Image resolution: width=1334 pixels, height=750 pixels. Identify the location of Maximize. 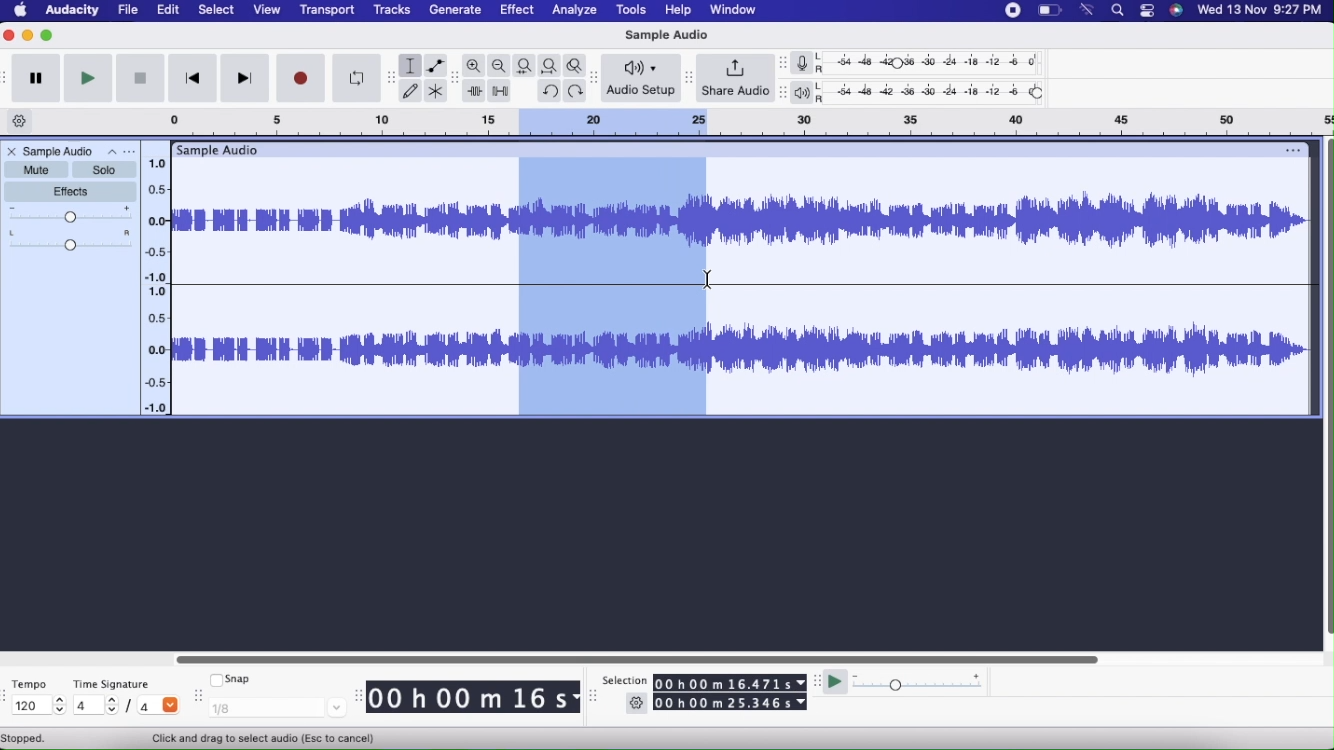
(48, 35).